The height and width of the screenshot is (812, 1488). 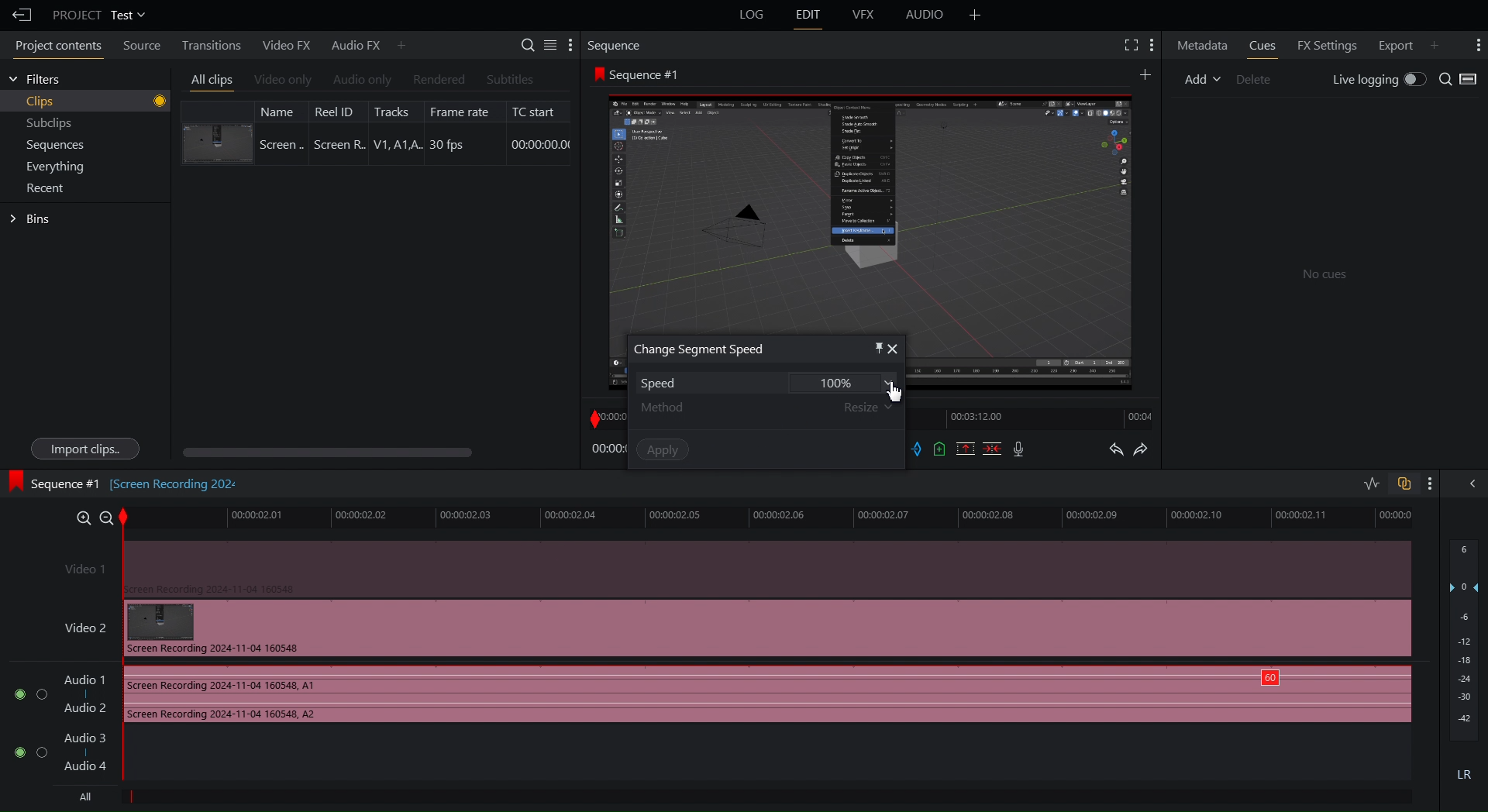 What do you see at coordinates (18, 15) in the screenshot?
I see `Back` at bounding box center [18, 15].